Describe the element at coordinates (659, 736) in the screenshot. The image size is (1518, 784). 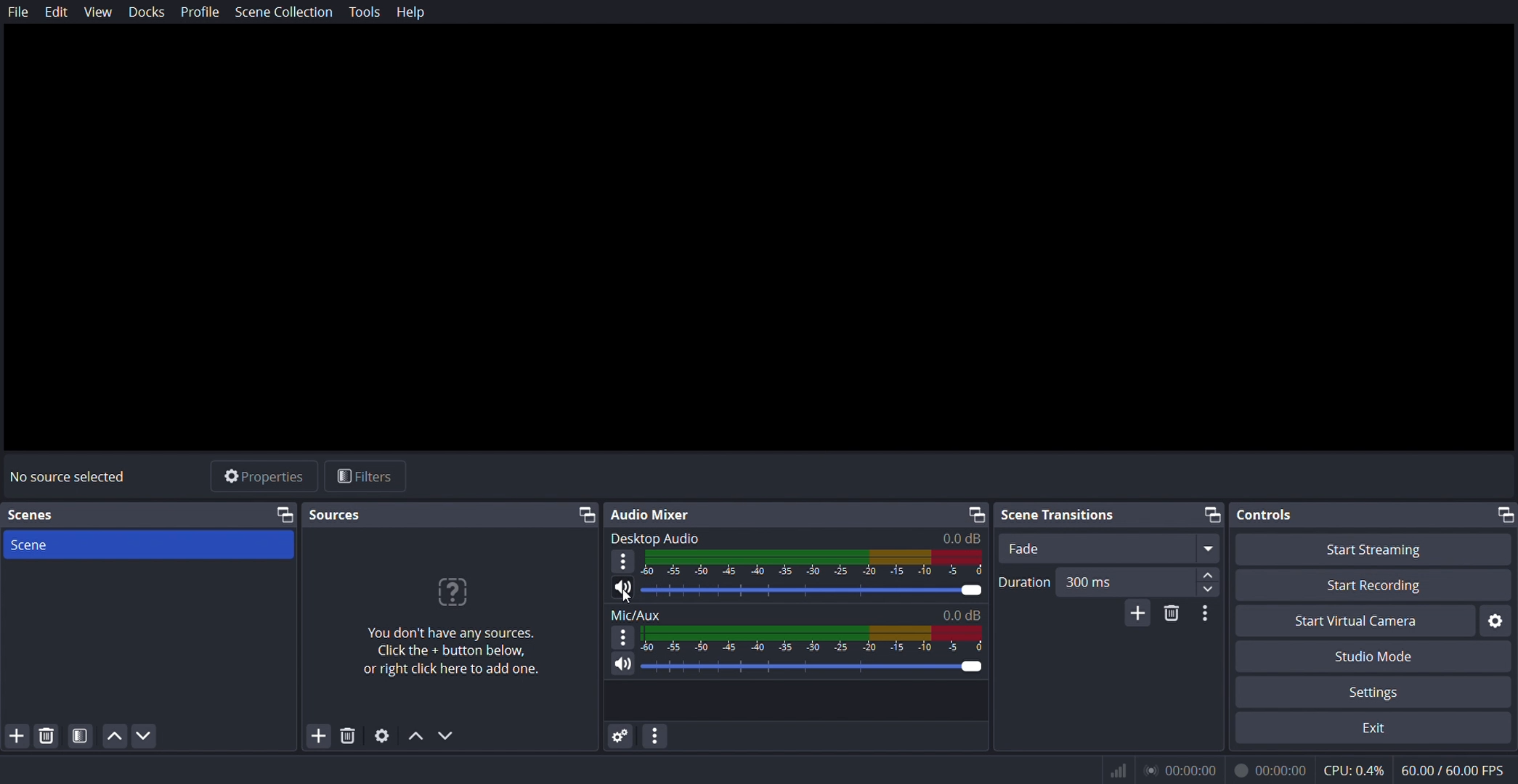
I see `configure audio settings` at that location.